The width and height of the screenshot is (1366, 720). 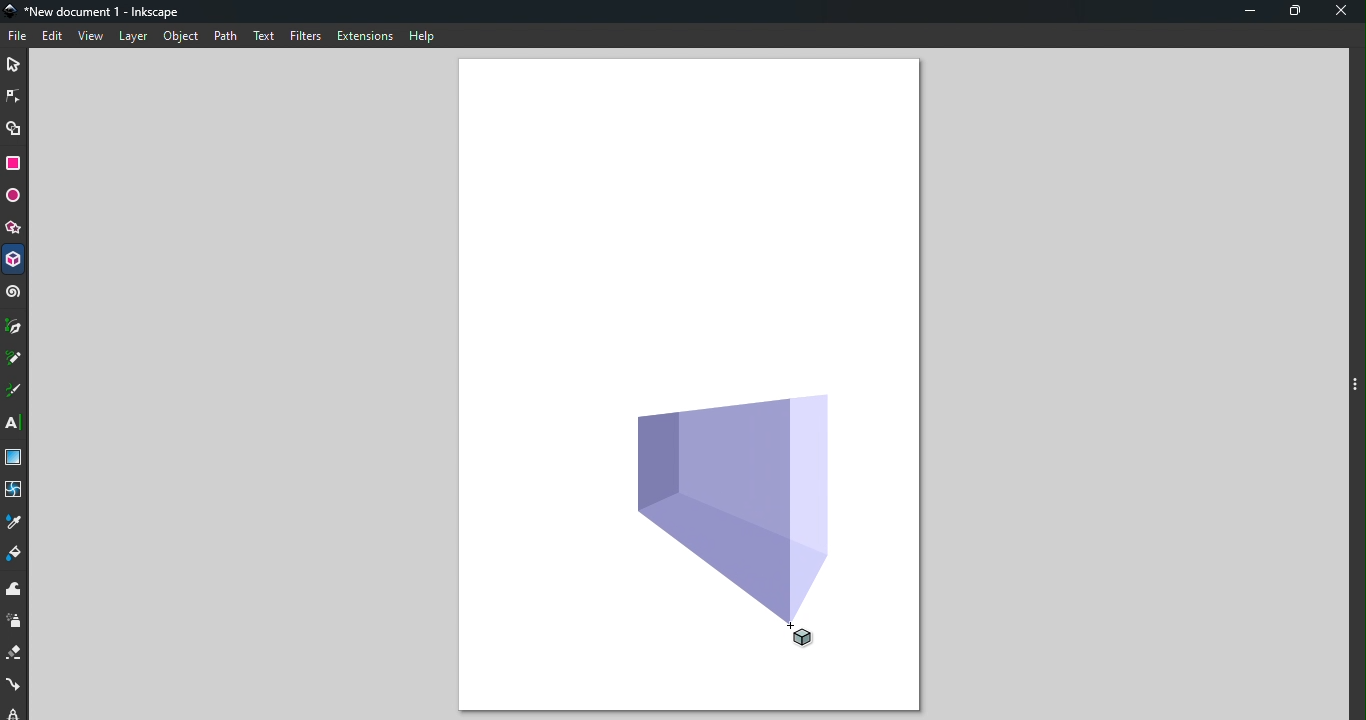 What do you see at coordinates (16, 358) in the screenshot?
I see `Pencil tool` at bounding box center [16, 358].